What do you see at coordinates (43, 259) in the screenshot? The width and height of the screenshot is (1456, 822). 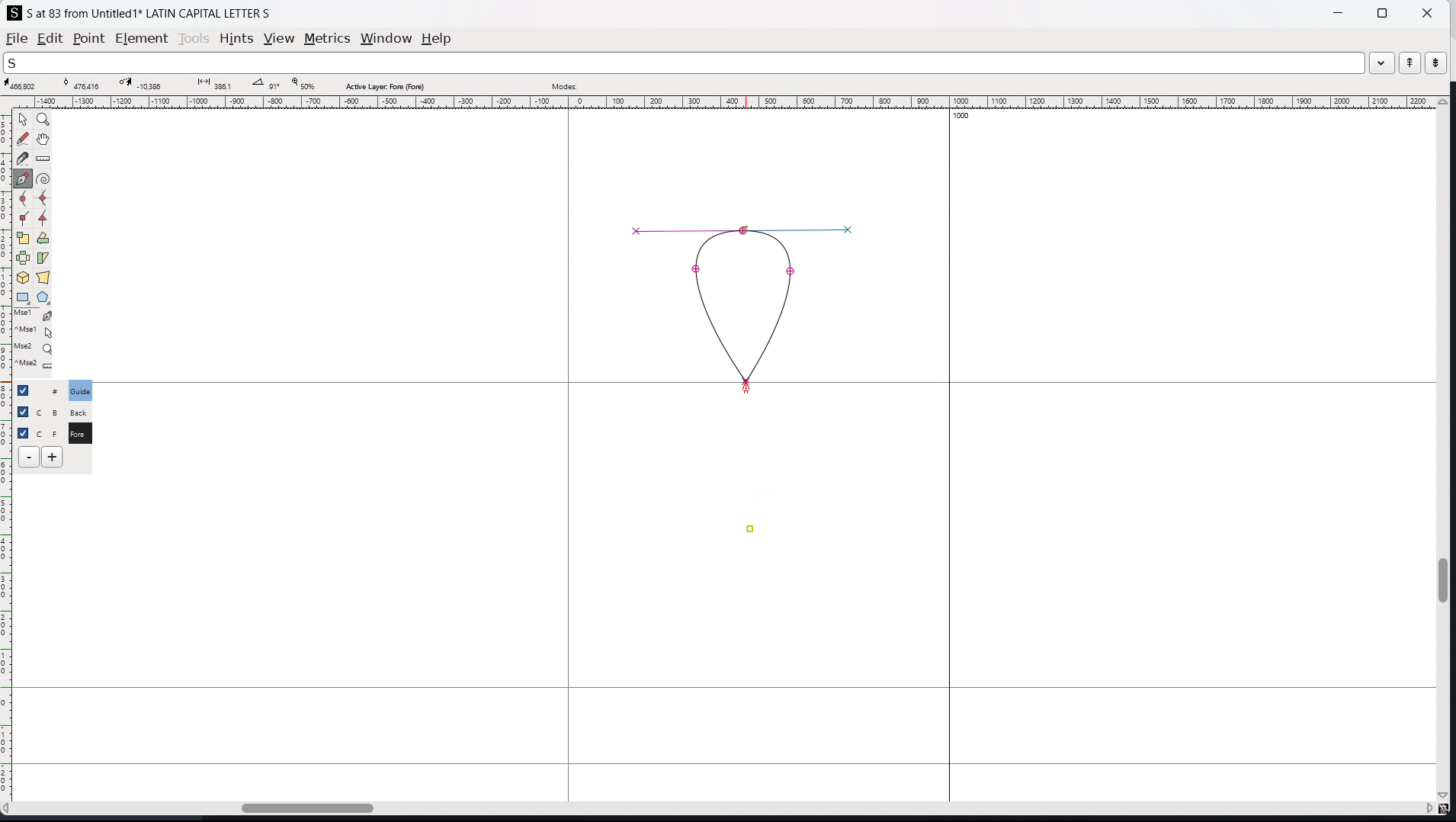 I see `skew selection` at bounding box center [43, 259].